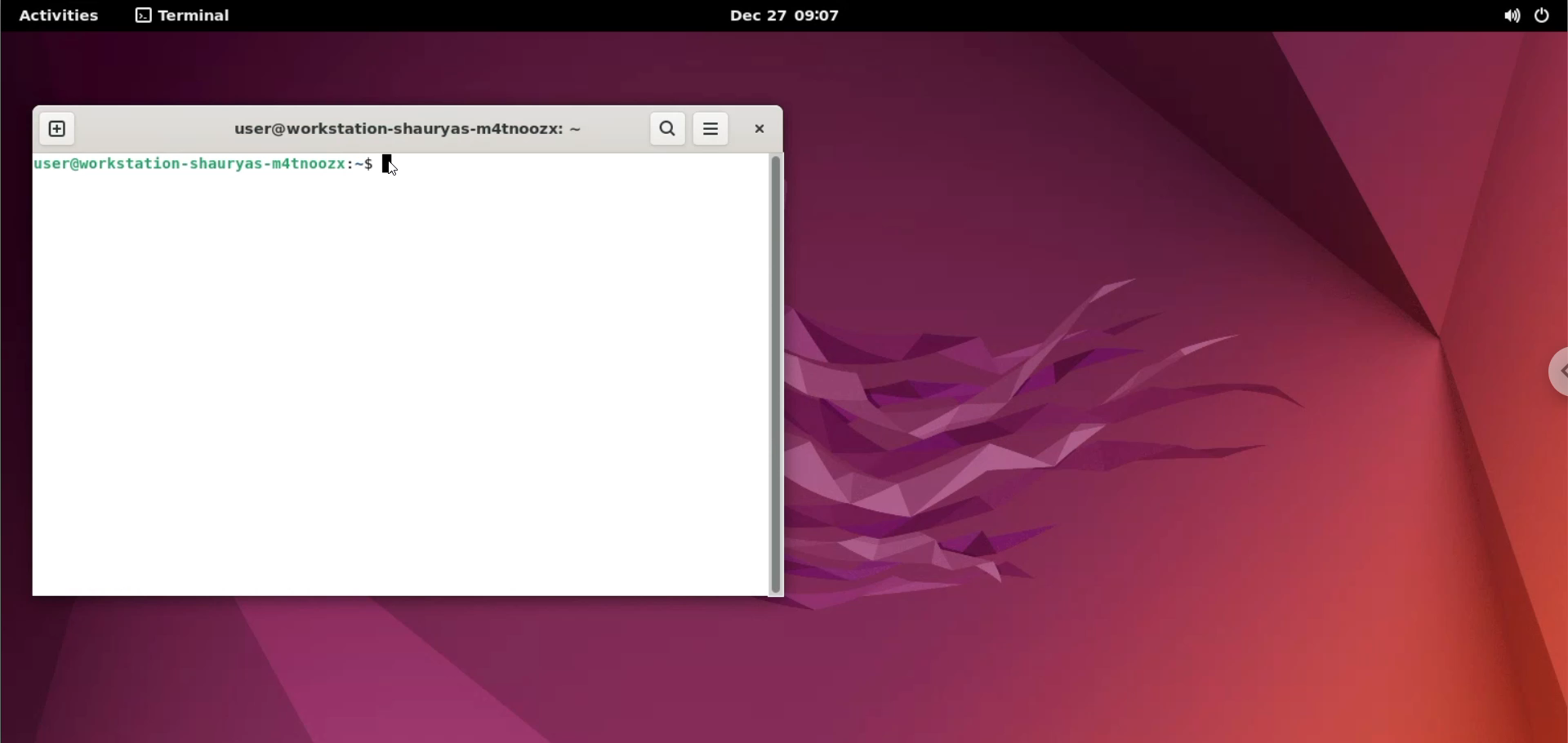 The width and height of the screenshot is (1568, 743). I want to click on Scroll Bar, so click(776, 375).